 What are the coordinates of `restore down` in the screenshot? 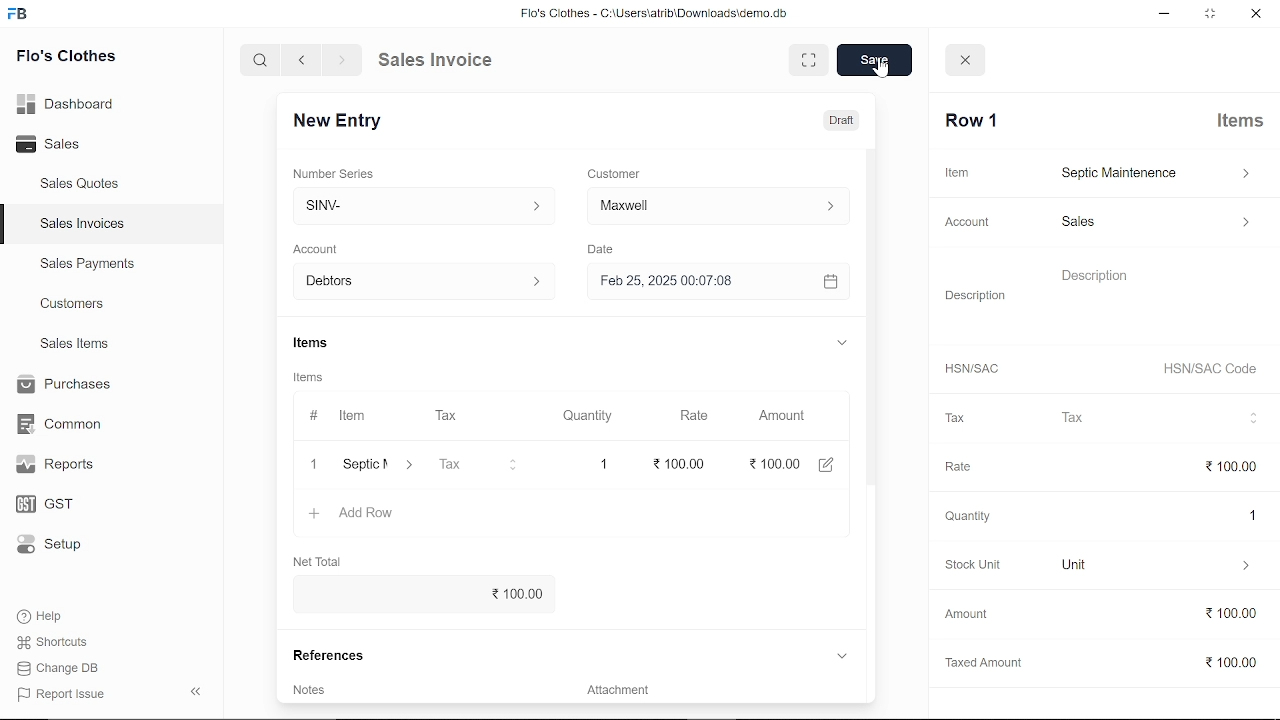 It's located at (1207, 13).